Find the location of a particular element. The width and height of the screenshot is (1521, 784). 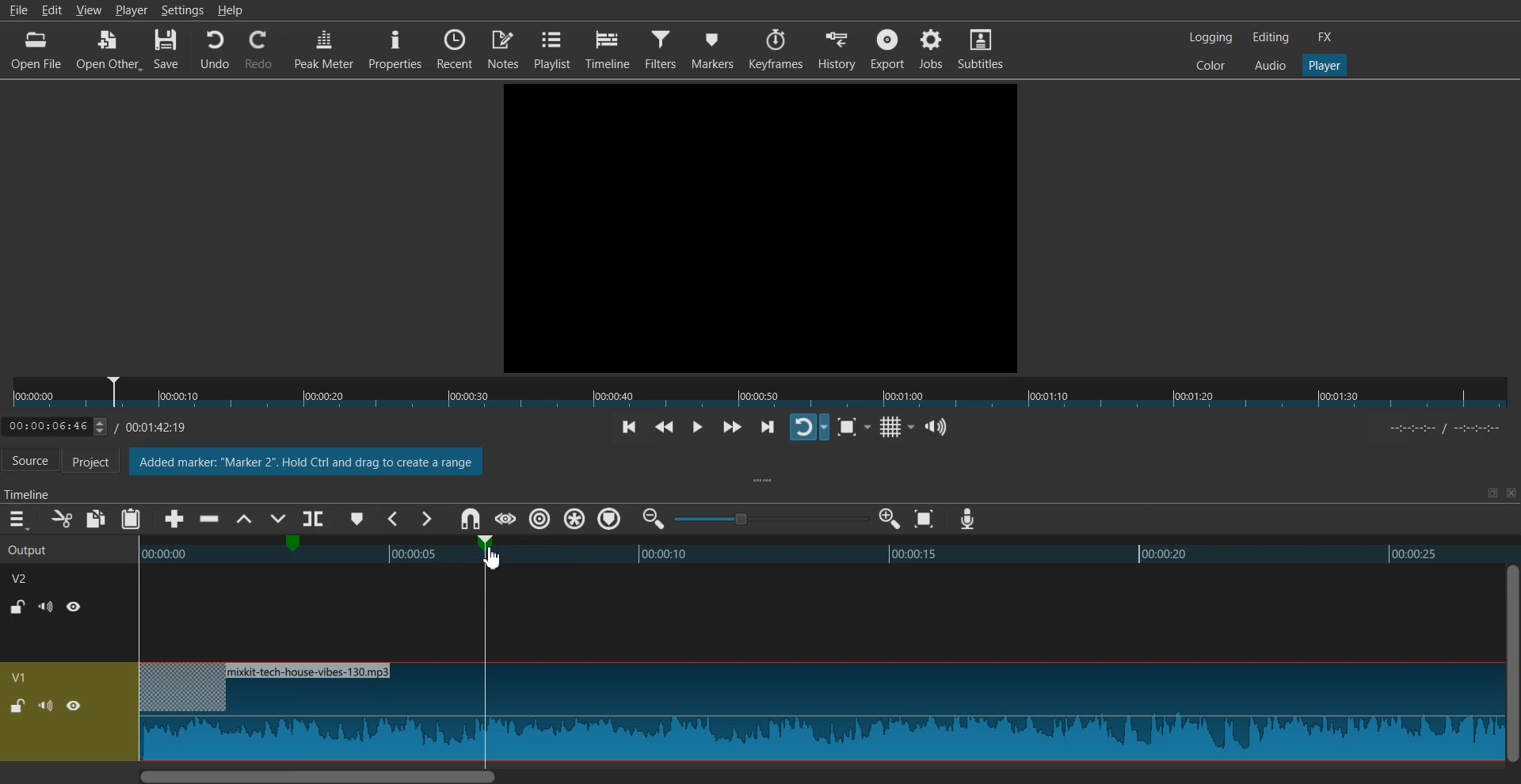

V1 is located at coordinates (21, 677).